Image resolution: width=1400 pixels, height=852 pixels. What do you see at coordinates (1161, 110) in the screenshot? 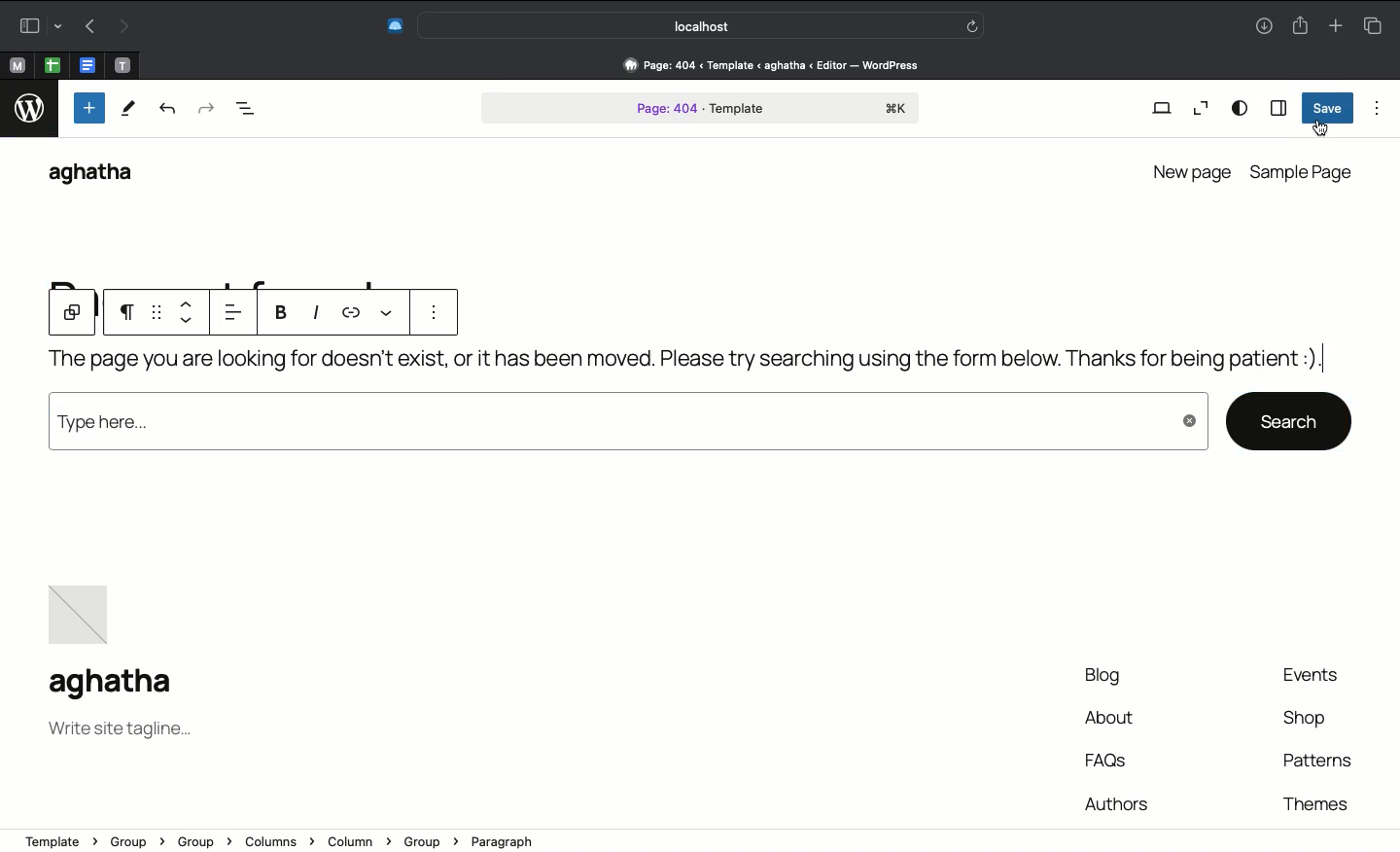
I see `View` at bounding box center [1161, 110].